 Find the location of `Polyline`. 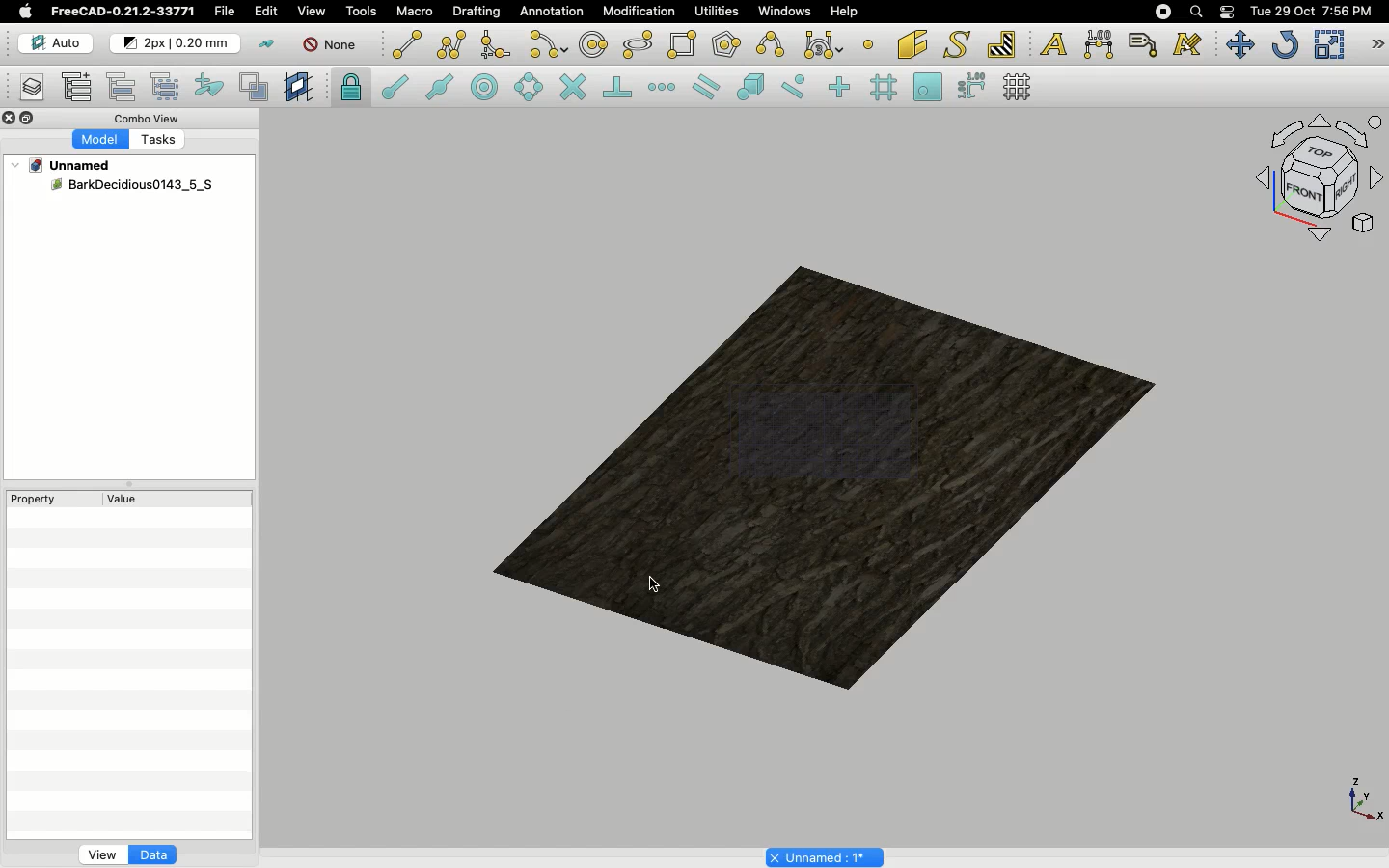

Polyline is located at coordinates (451, 44).